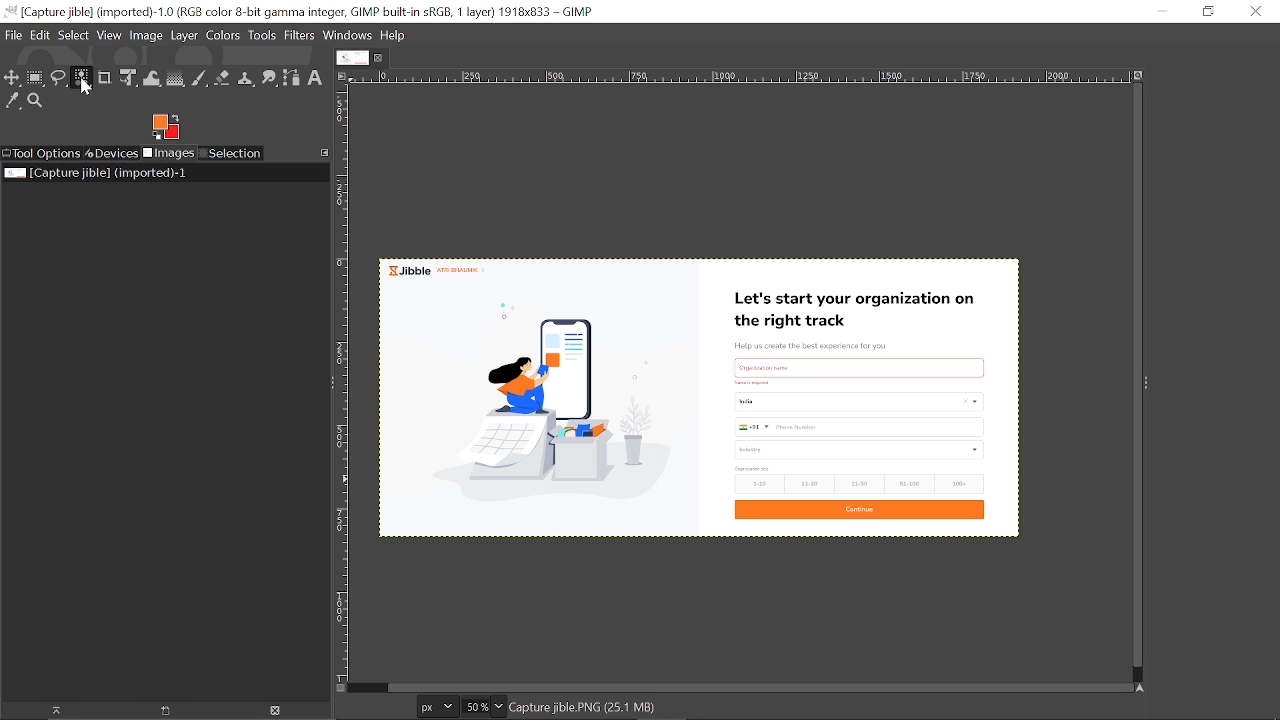  What do you see at coordinates (735, 78) in the screenshot?
I see `Horizontal labe;` at bounding box center [735, 78].